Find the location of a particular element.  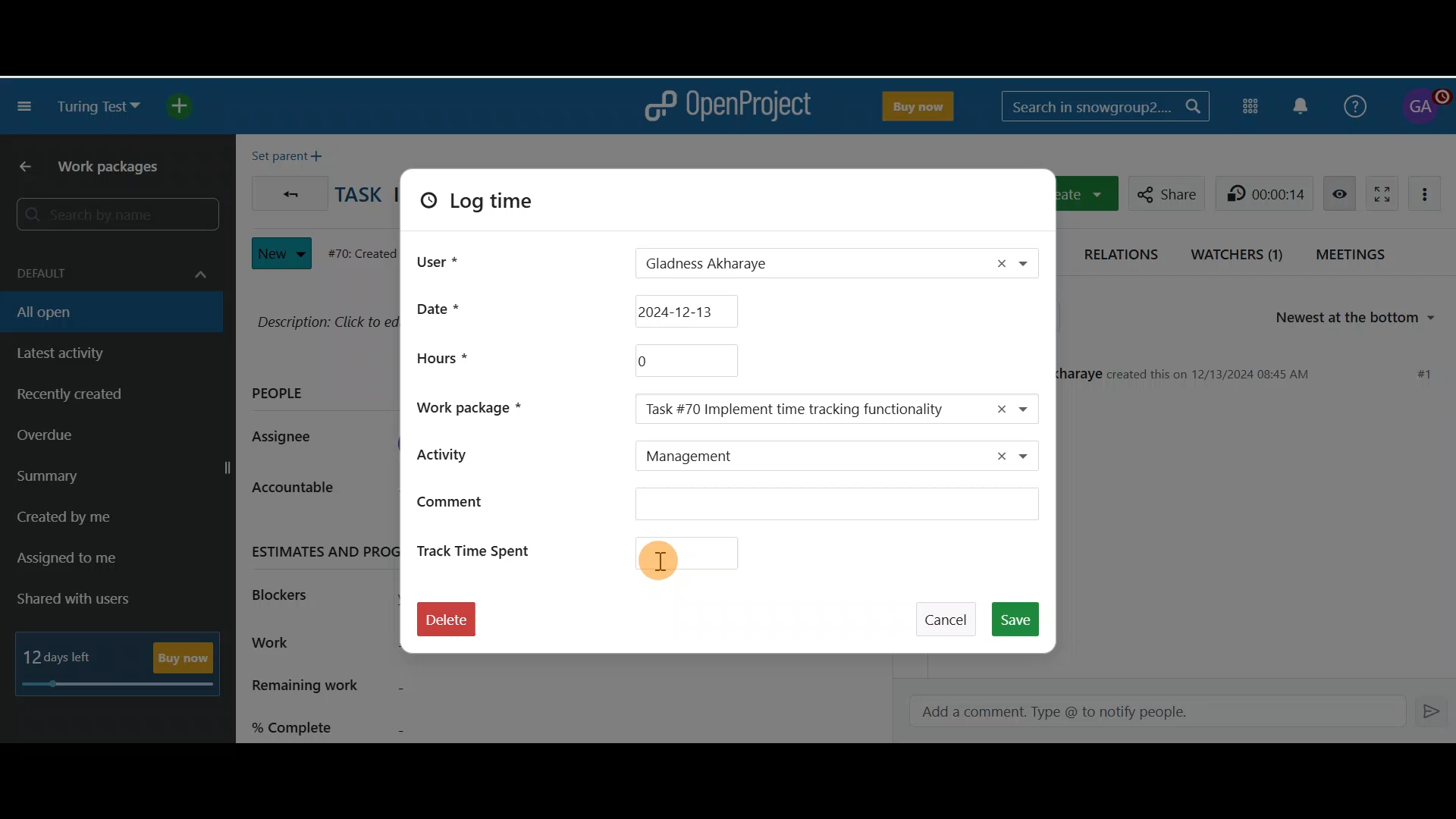

Accountable is located at coordinates (306, 493).